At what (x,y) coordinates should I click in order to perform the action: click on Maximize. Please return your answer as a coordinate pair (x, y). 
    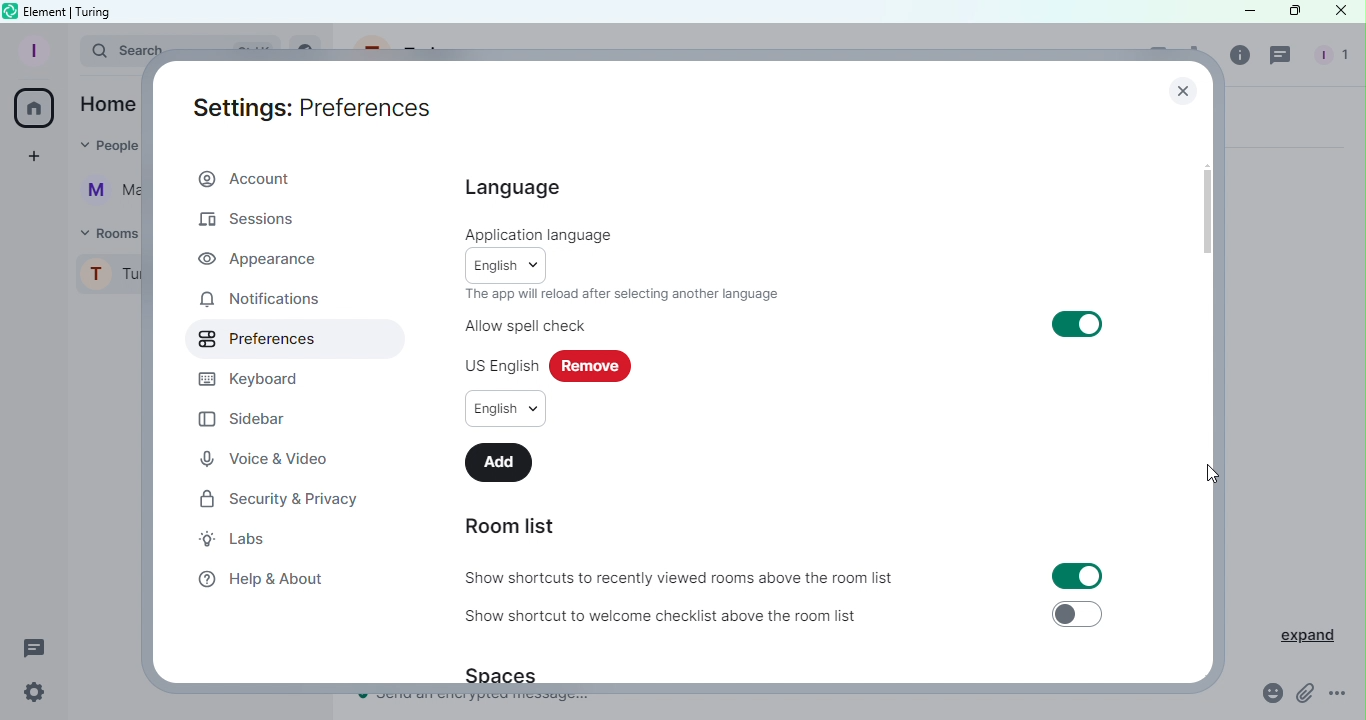
    Looking at the image, I should click on (1290, 12).